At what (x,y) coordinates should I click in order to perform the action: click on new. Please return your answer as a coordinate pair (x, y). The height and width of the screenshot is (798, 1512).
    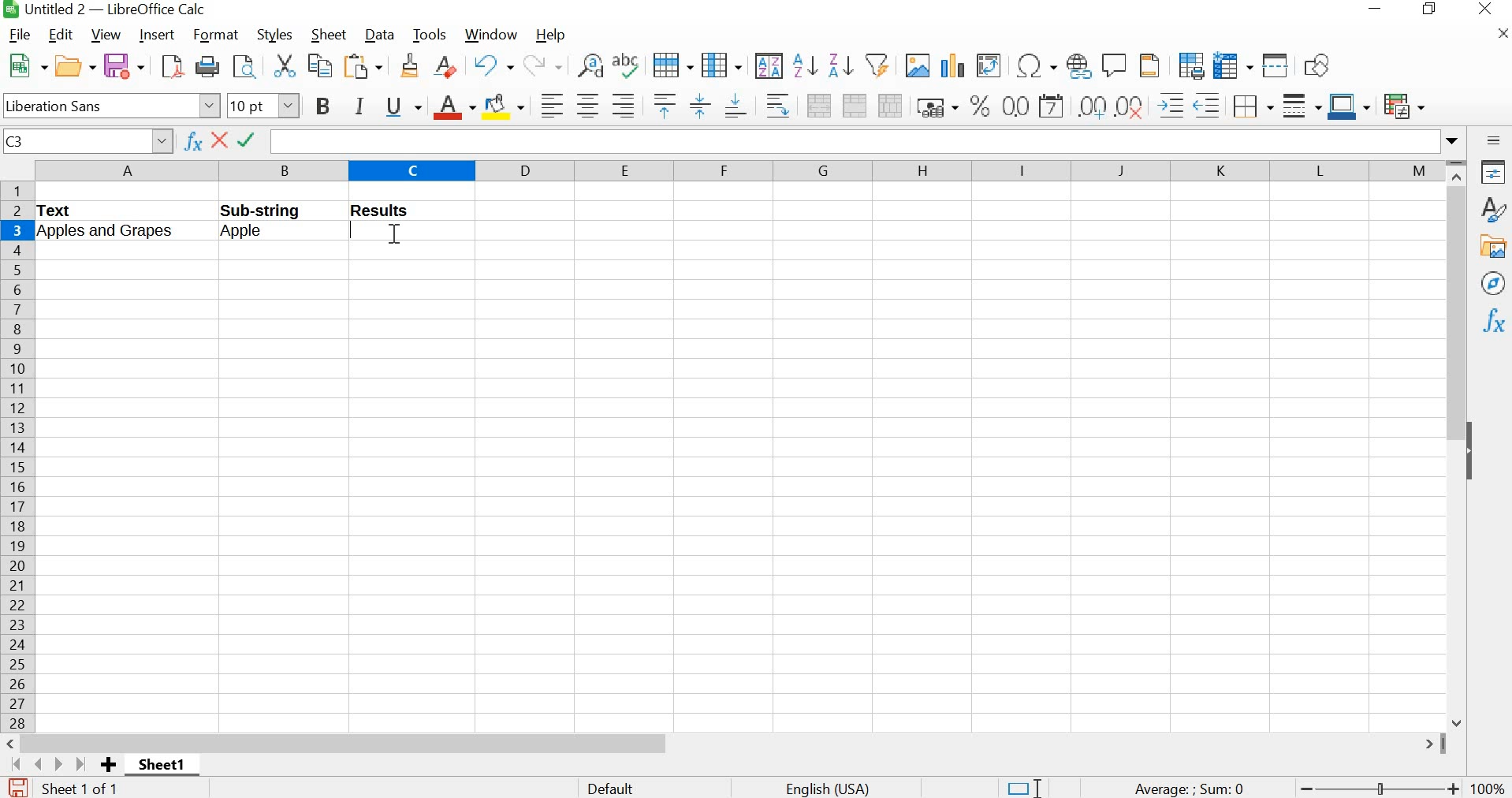
    Looking at the image, I should click on (24, 64).